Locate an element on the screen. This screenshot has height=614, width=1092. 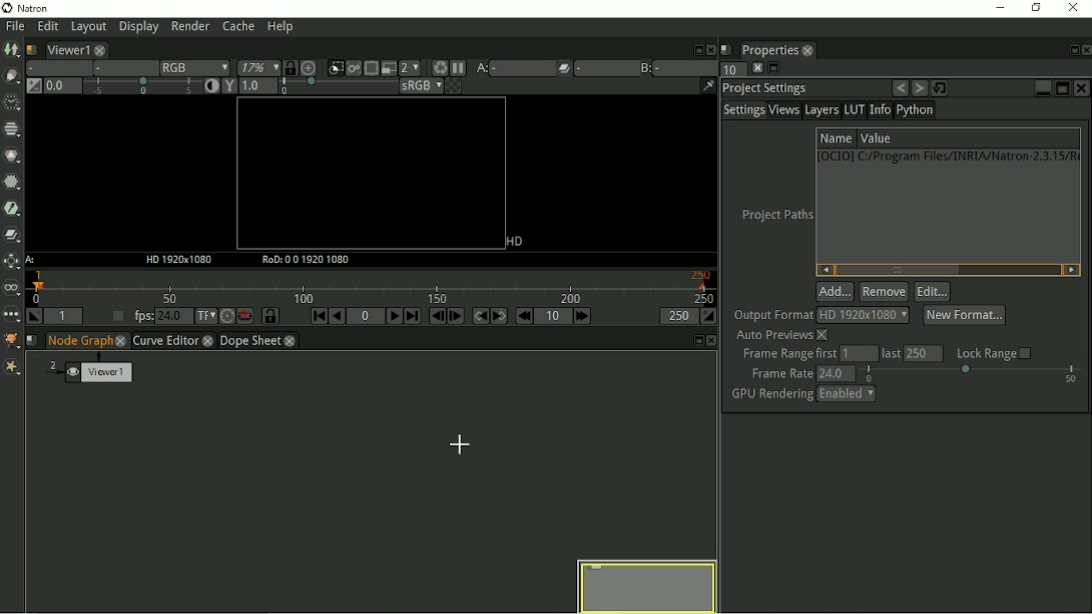
Script name is located at coordinates (726, 48).